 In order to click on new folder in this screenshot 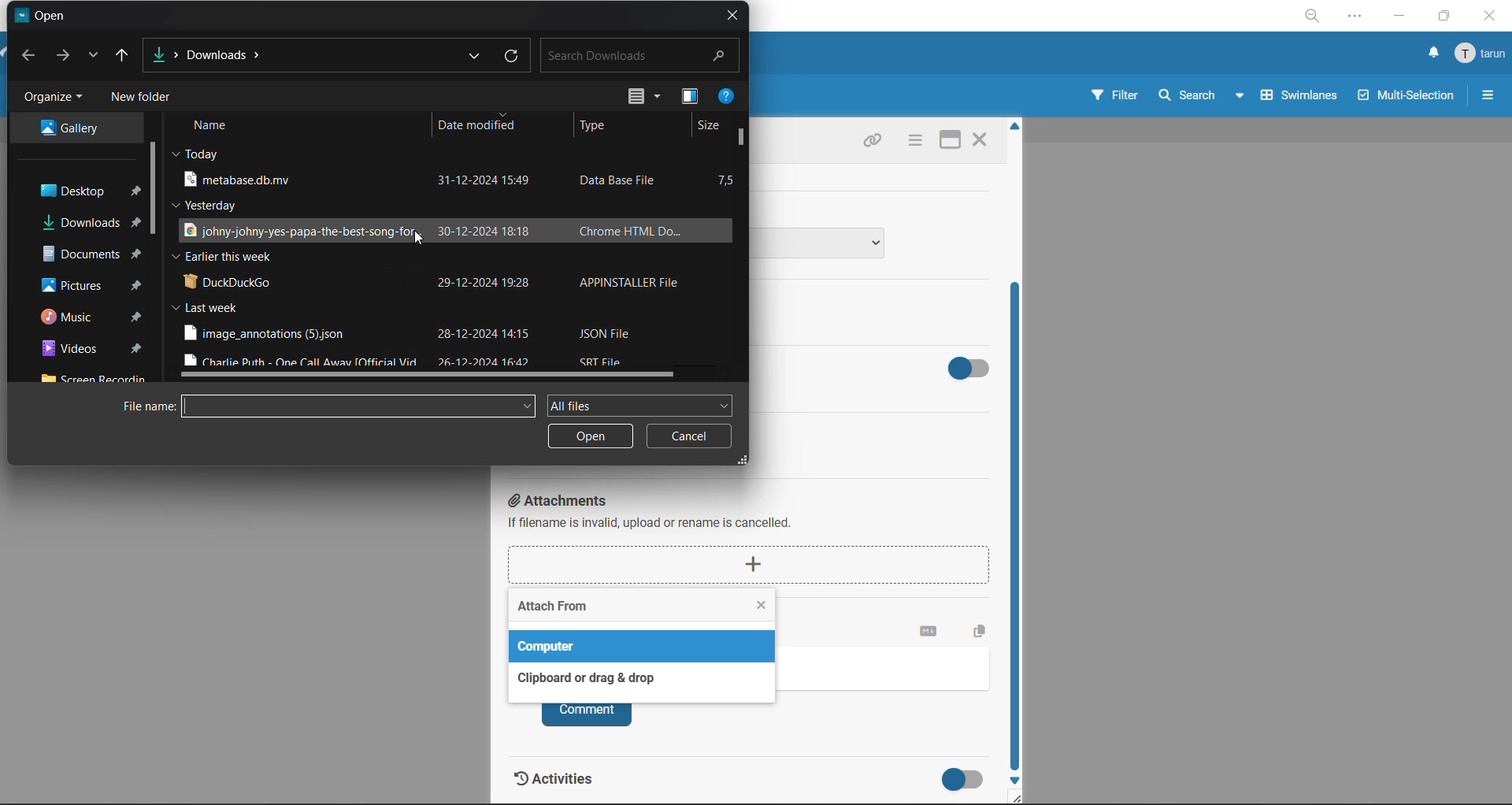, I will do `click(147, 99)`.